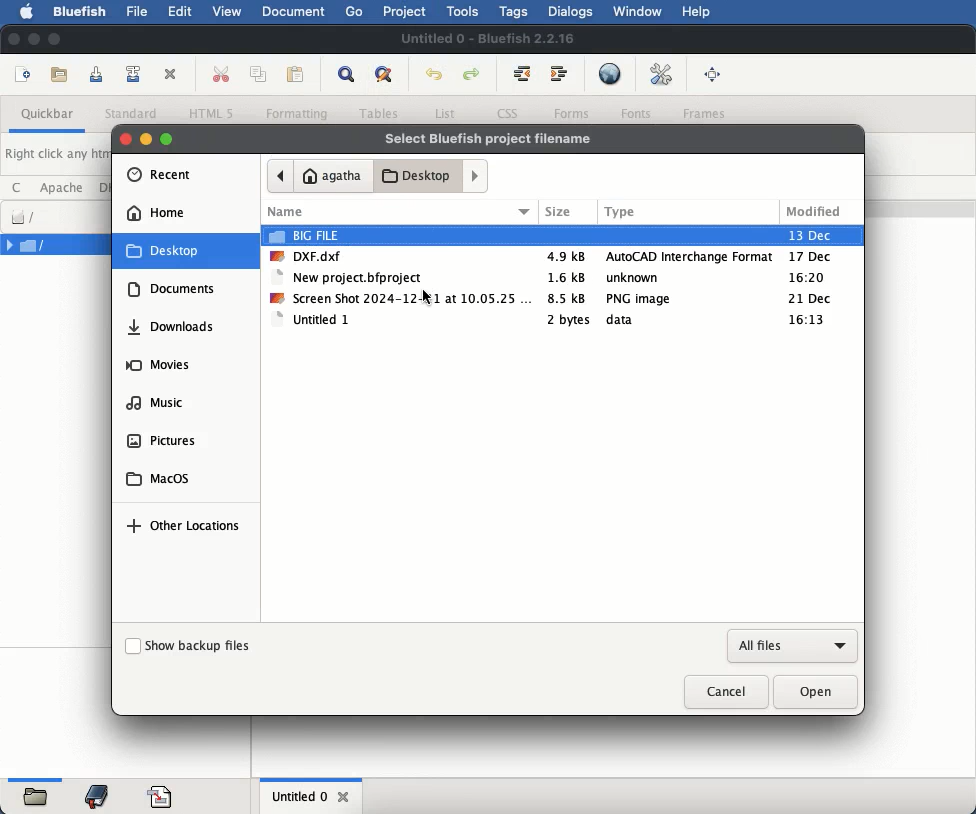 Image resolution: width=976 pixels, height=814 pixels. Describe the element at coordinates (792, 647) in the screenshot. I see `all files` at that location.